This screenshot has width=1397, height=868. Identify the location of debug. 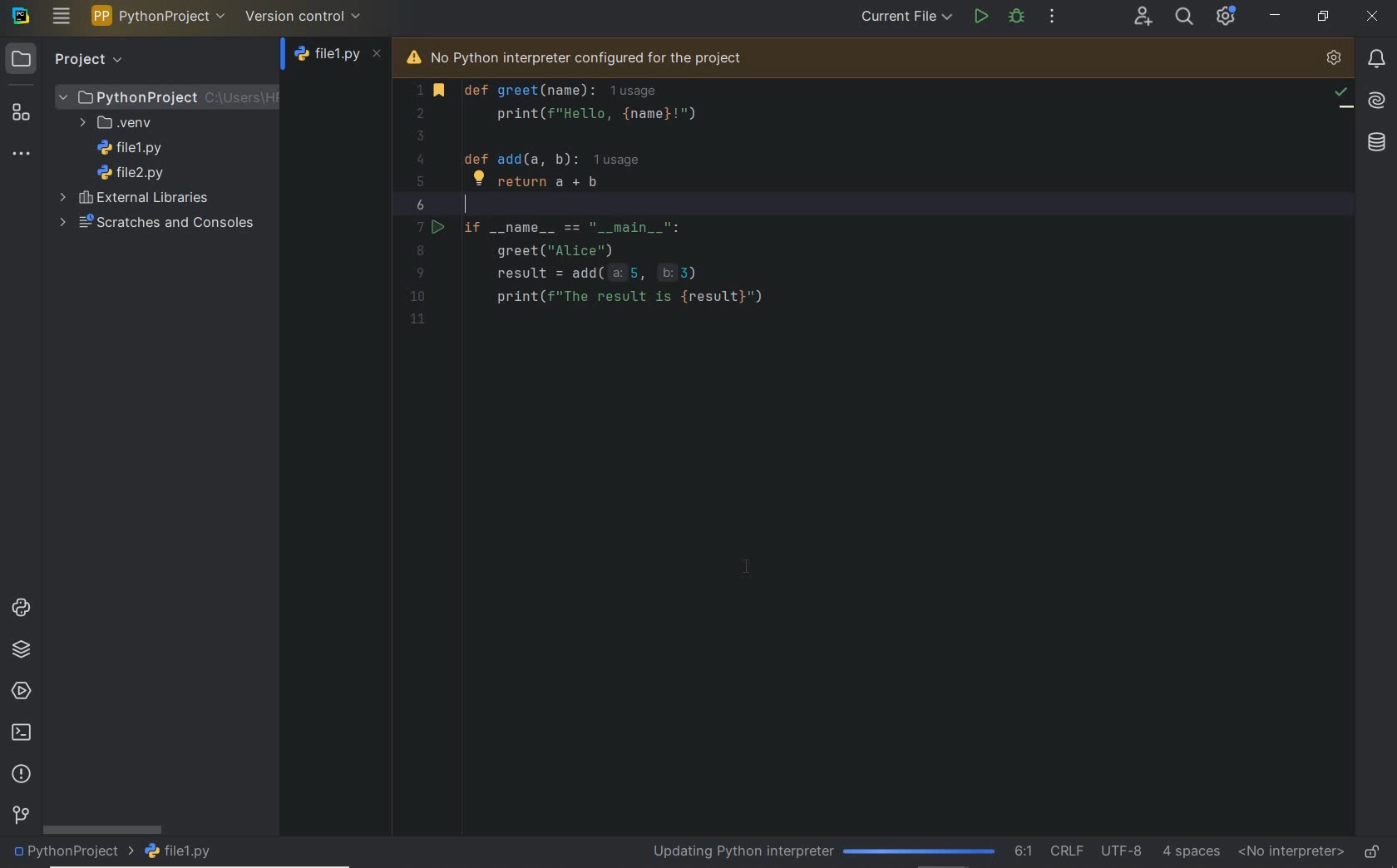
(1018, 16).